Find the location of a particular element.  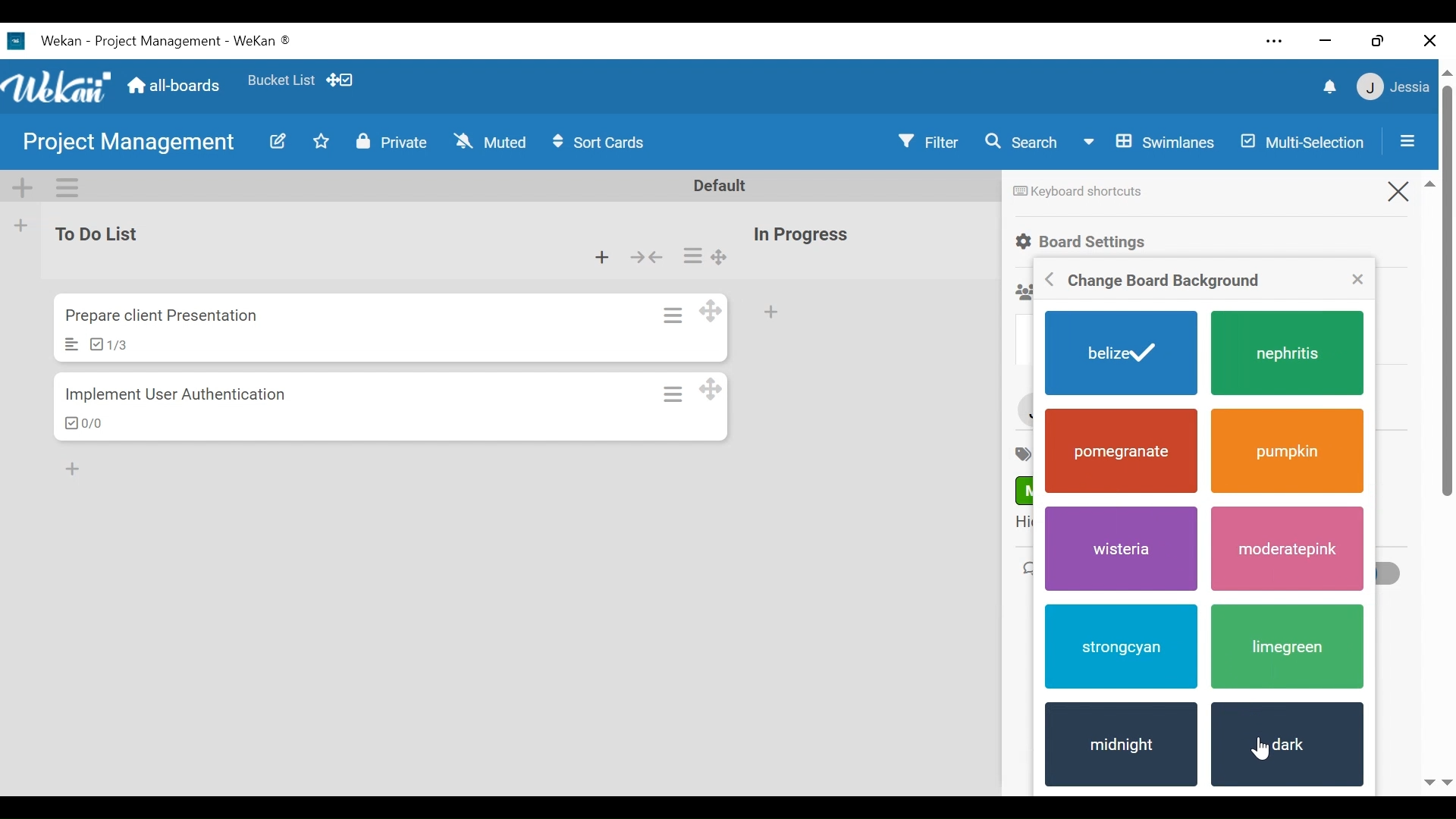

close is located at coordinates (1427, 38).